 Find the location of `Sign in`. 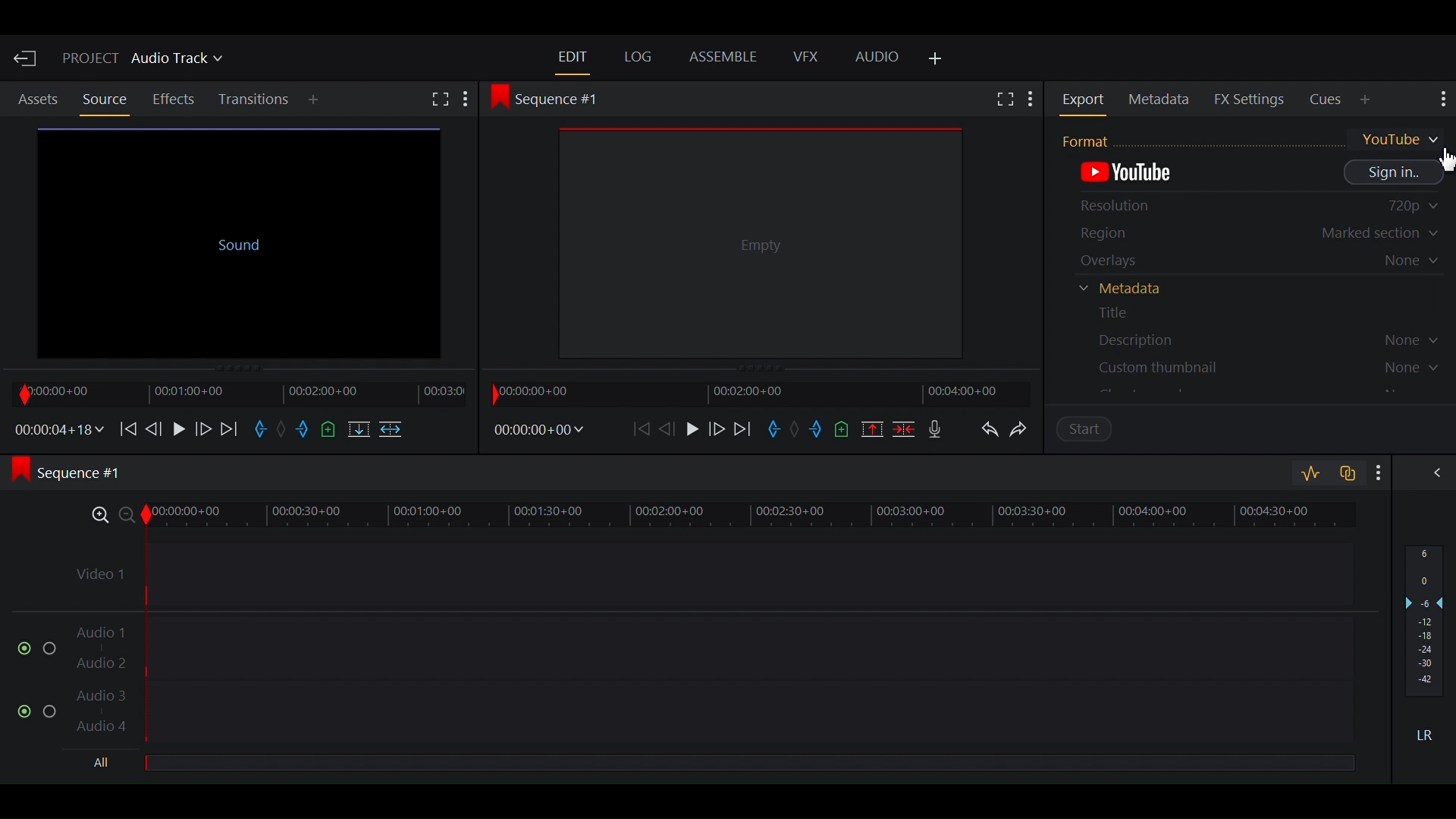

Sign in is located at coordinates (1395, 173).